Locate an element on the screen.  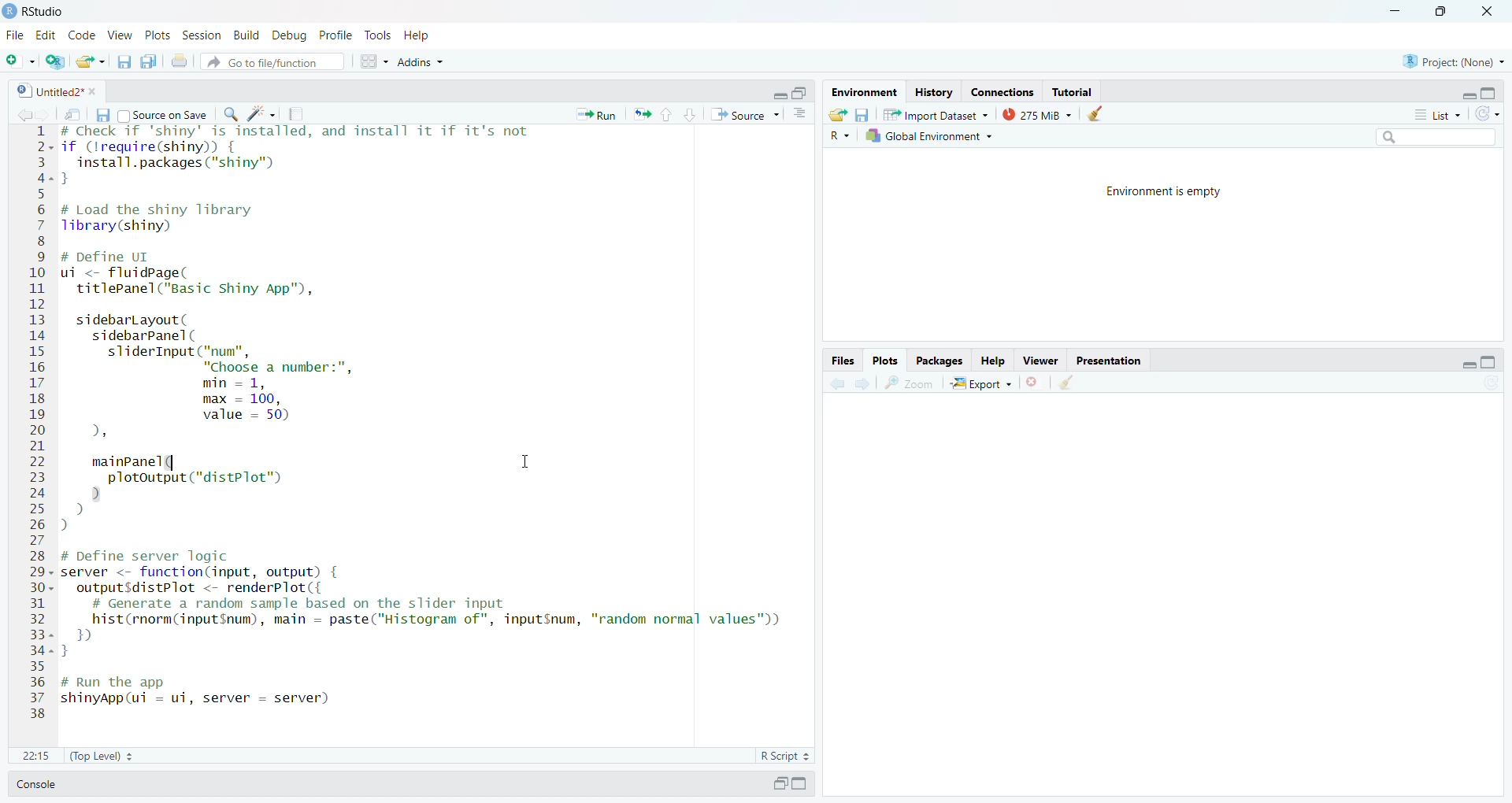
rerun is located at coordinates (642, 114).